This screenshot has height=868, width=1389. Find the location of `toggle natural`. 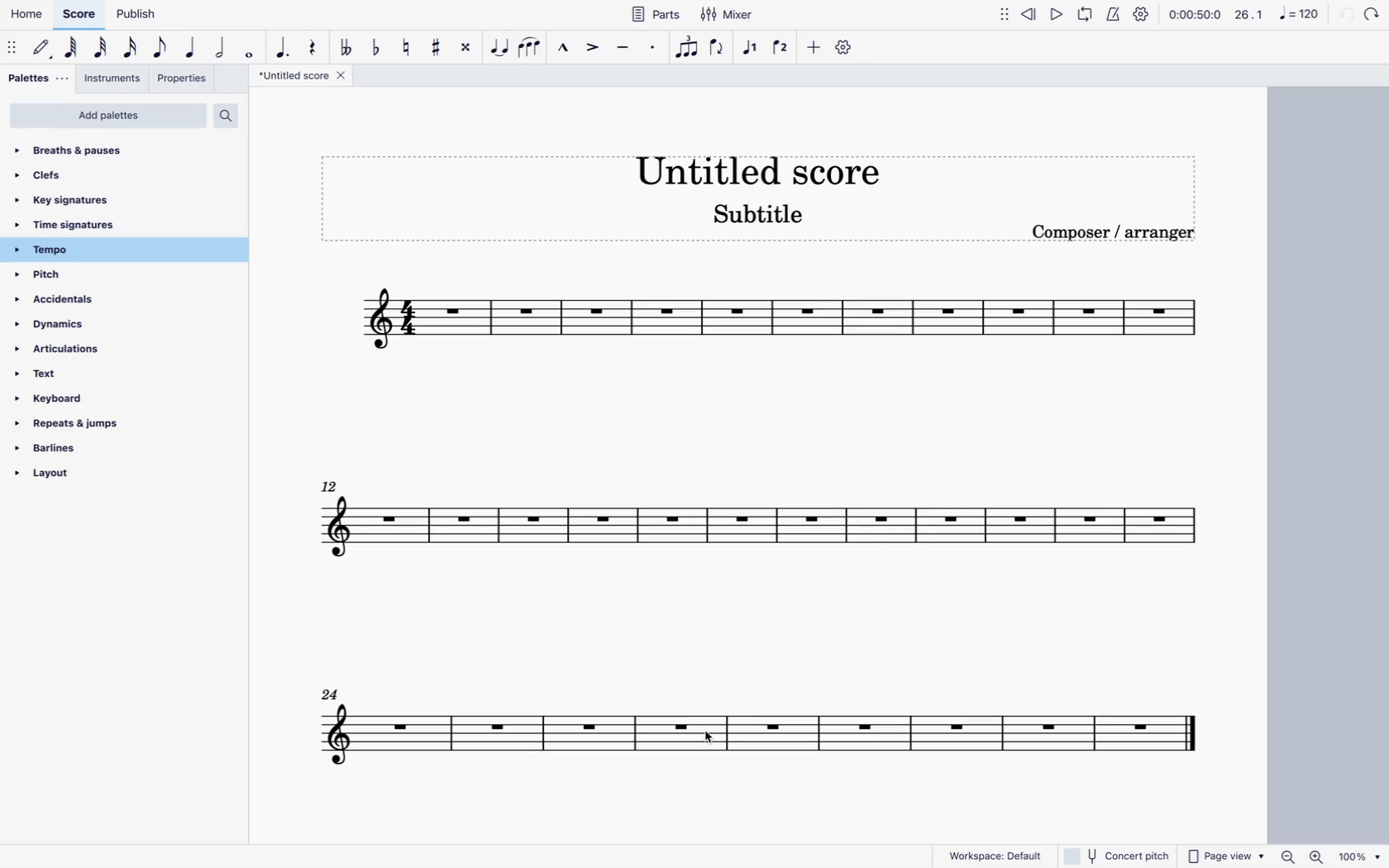

toggle natural is located at coordinates (408, 48).